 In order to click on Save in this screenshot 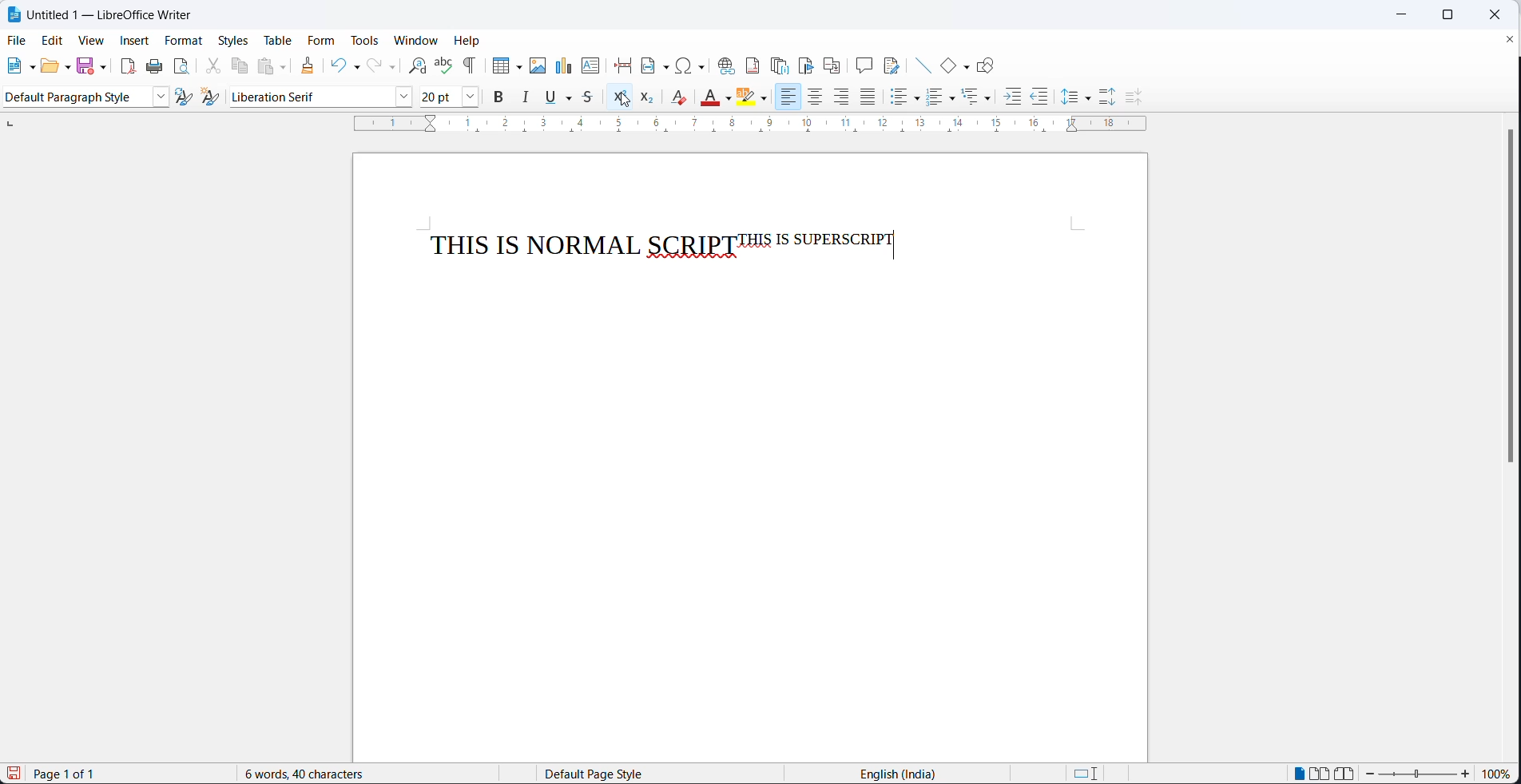, I will do `click(12, 774)`.